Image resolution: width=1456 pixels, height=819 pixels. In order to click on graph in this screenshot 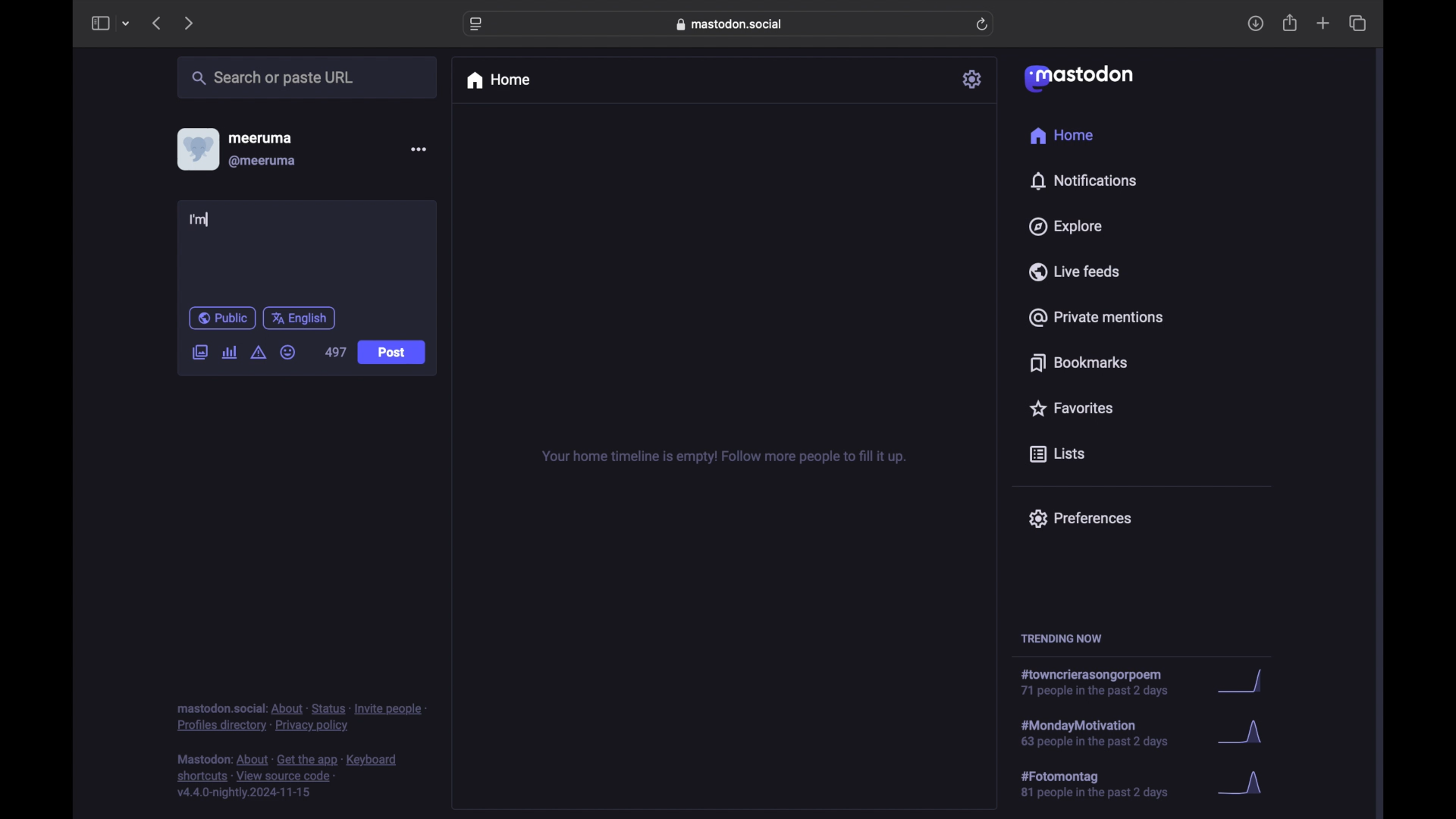, I will do `click(1246, 682)`.